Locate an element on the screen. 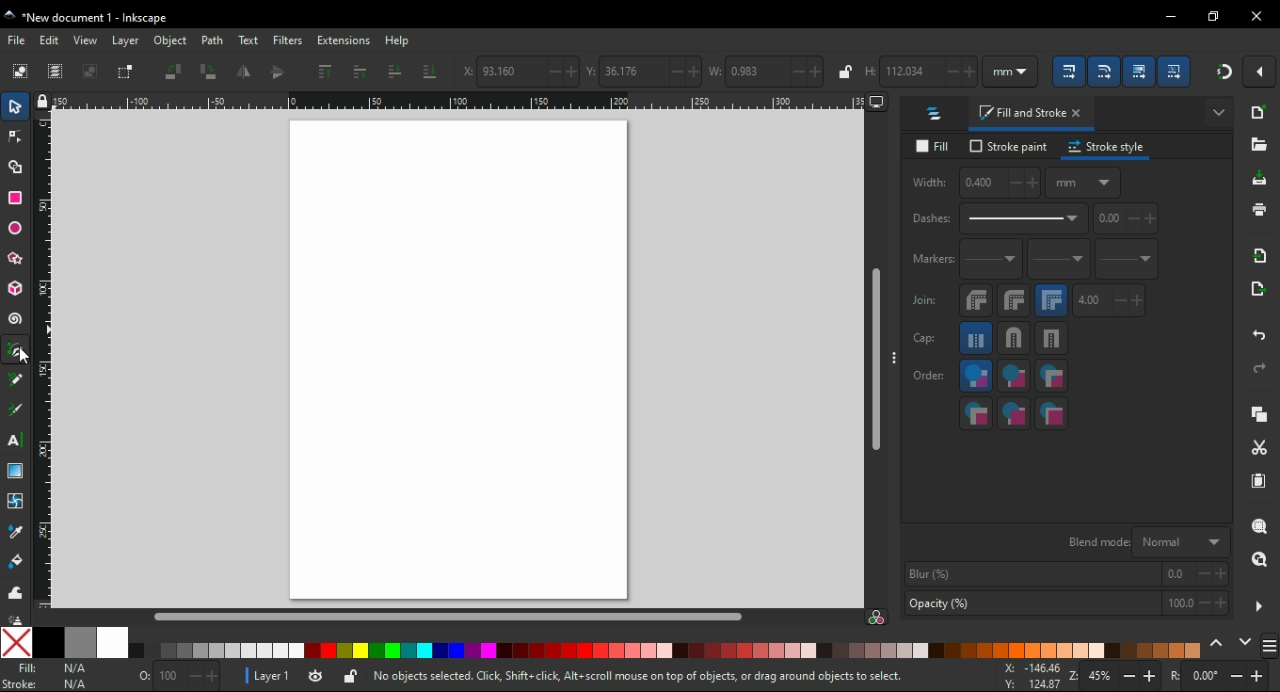 Image resolution: width=1280 pixels, height=692 pixels. restore is located at coordinates (1216, 16).